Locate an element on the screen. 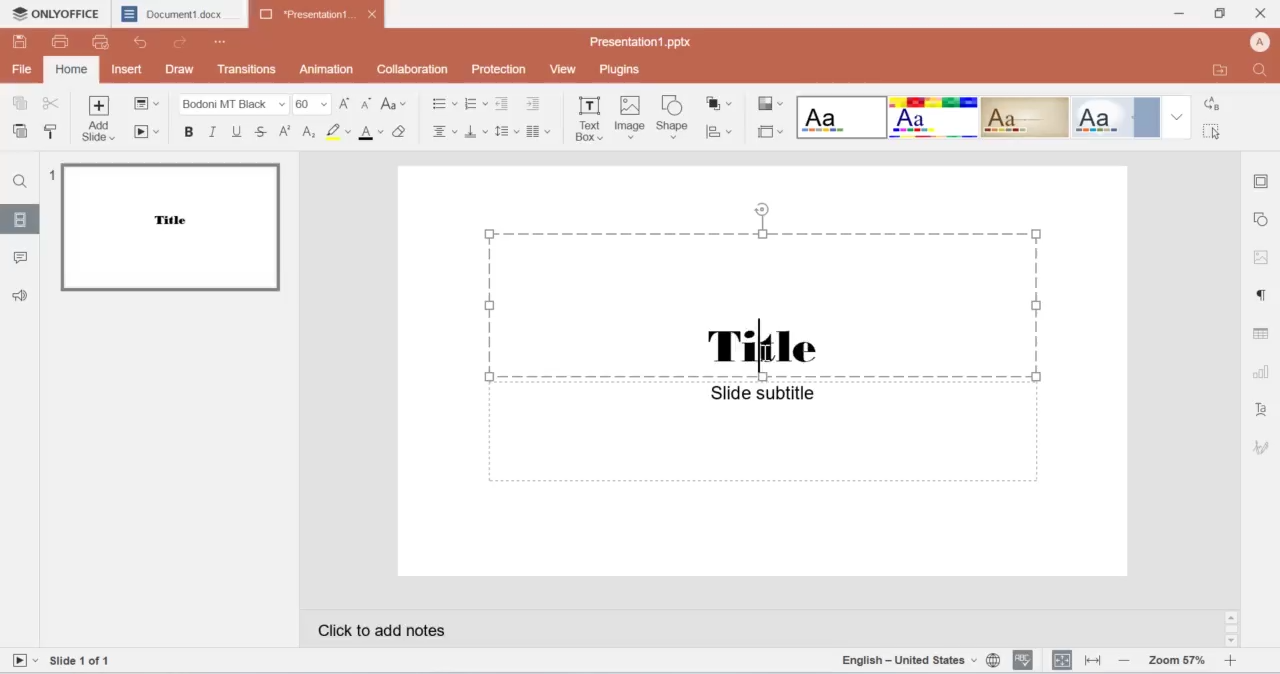 Image resolution: width=1280 pixels, height=674 pixels. zoom  is located at coordinates (1176, 661).